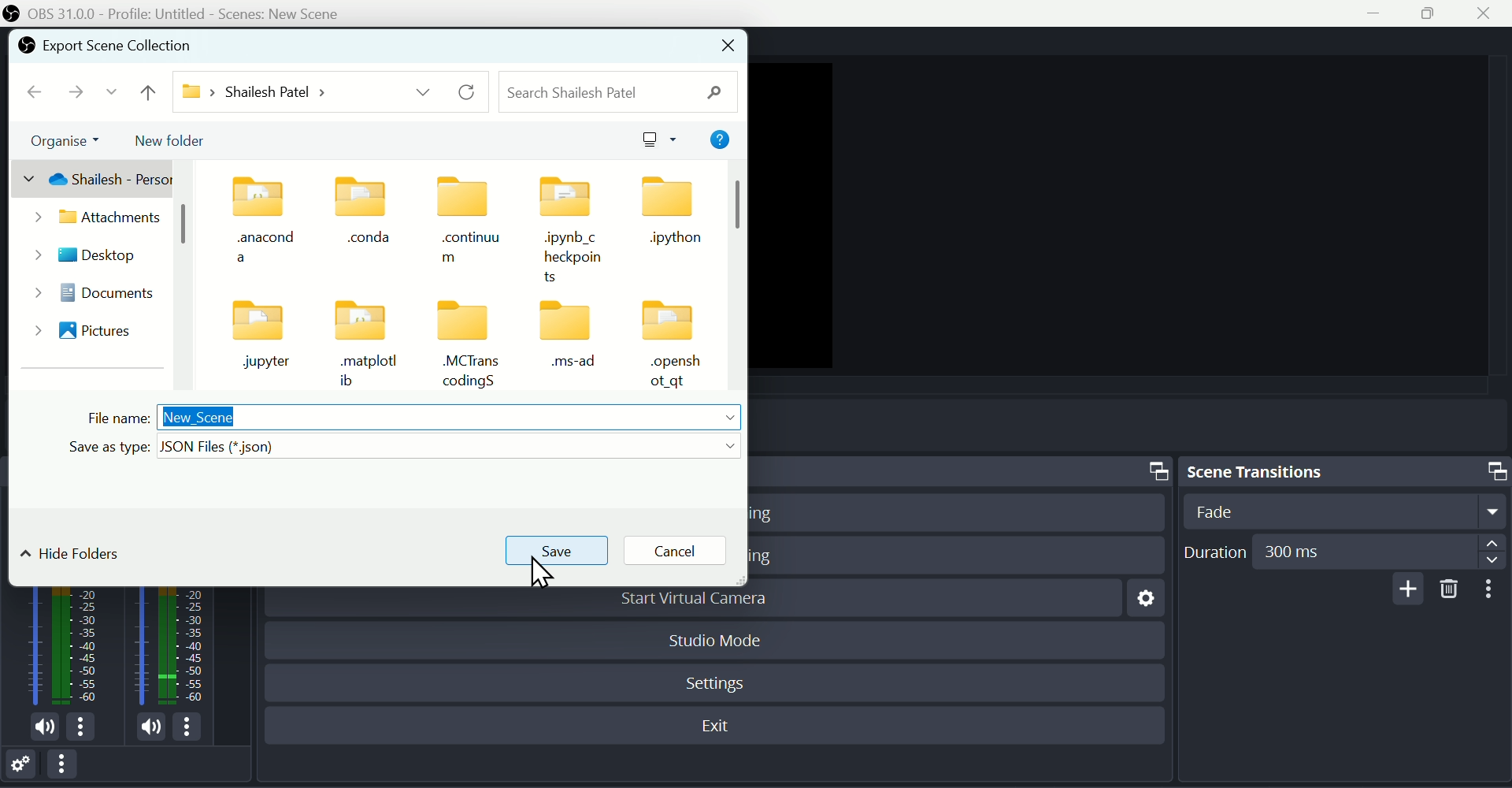  What do you see at coordinates (1343, 470) in the screenshot?
I see `Scene transition` at bounding box center [1343, 470].